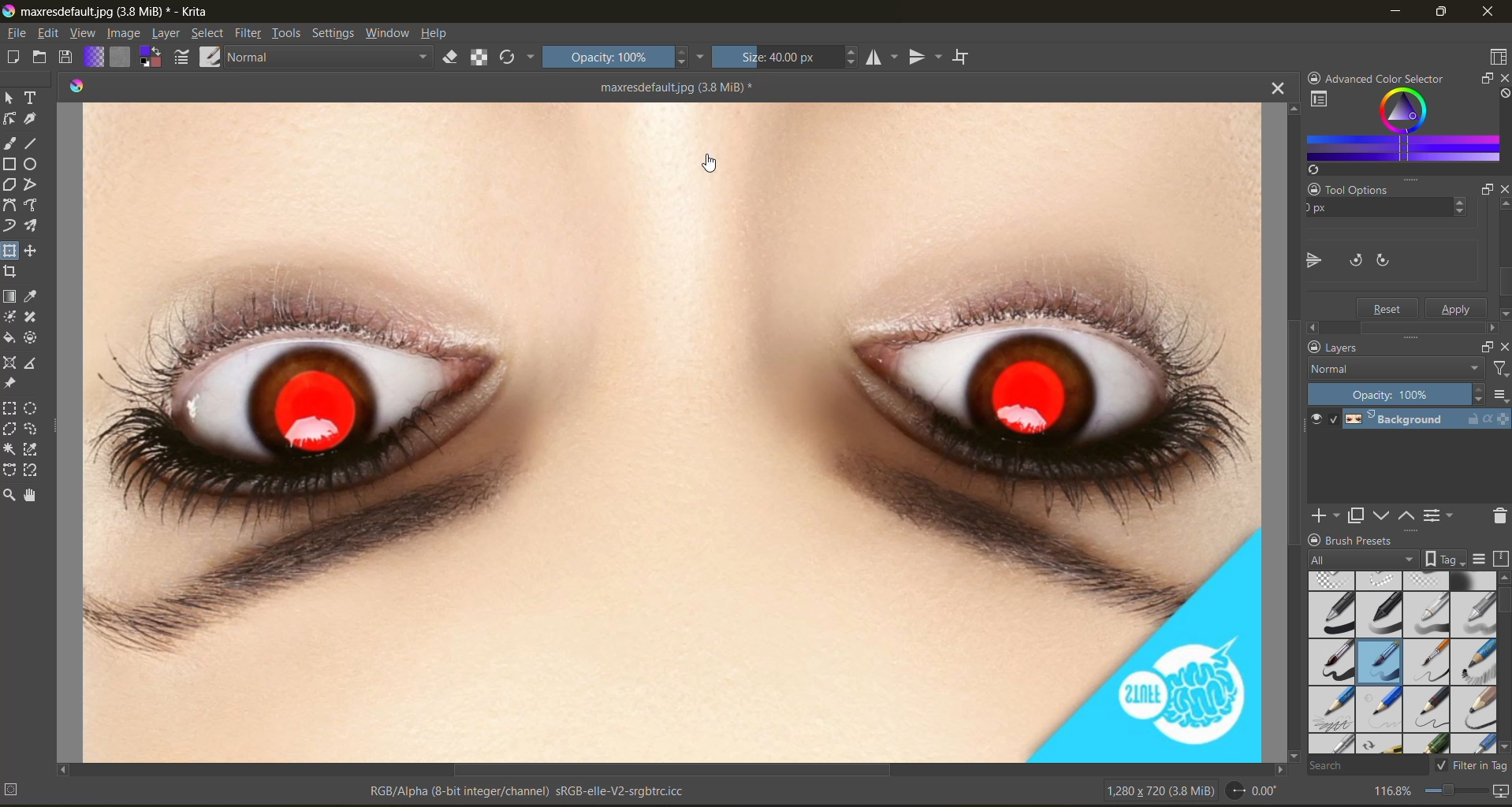  What do you see at coordinates (1498, 367) in the screenshot?
I see `filter` at bounding box center [1498, 367].